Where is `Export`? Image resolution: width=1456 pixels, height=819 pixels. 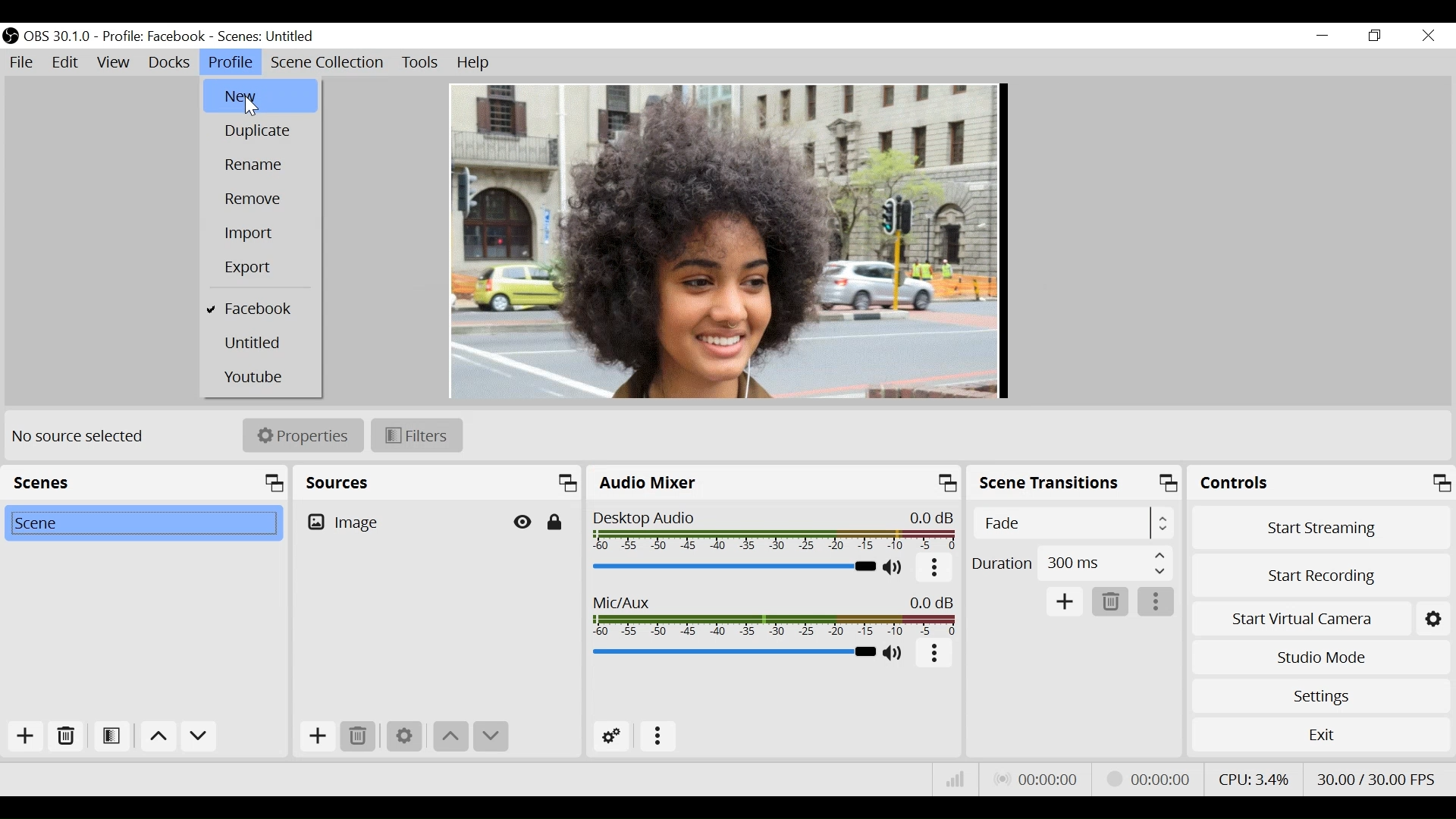 Export is located at coordinates (262, 269).